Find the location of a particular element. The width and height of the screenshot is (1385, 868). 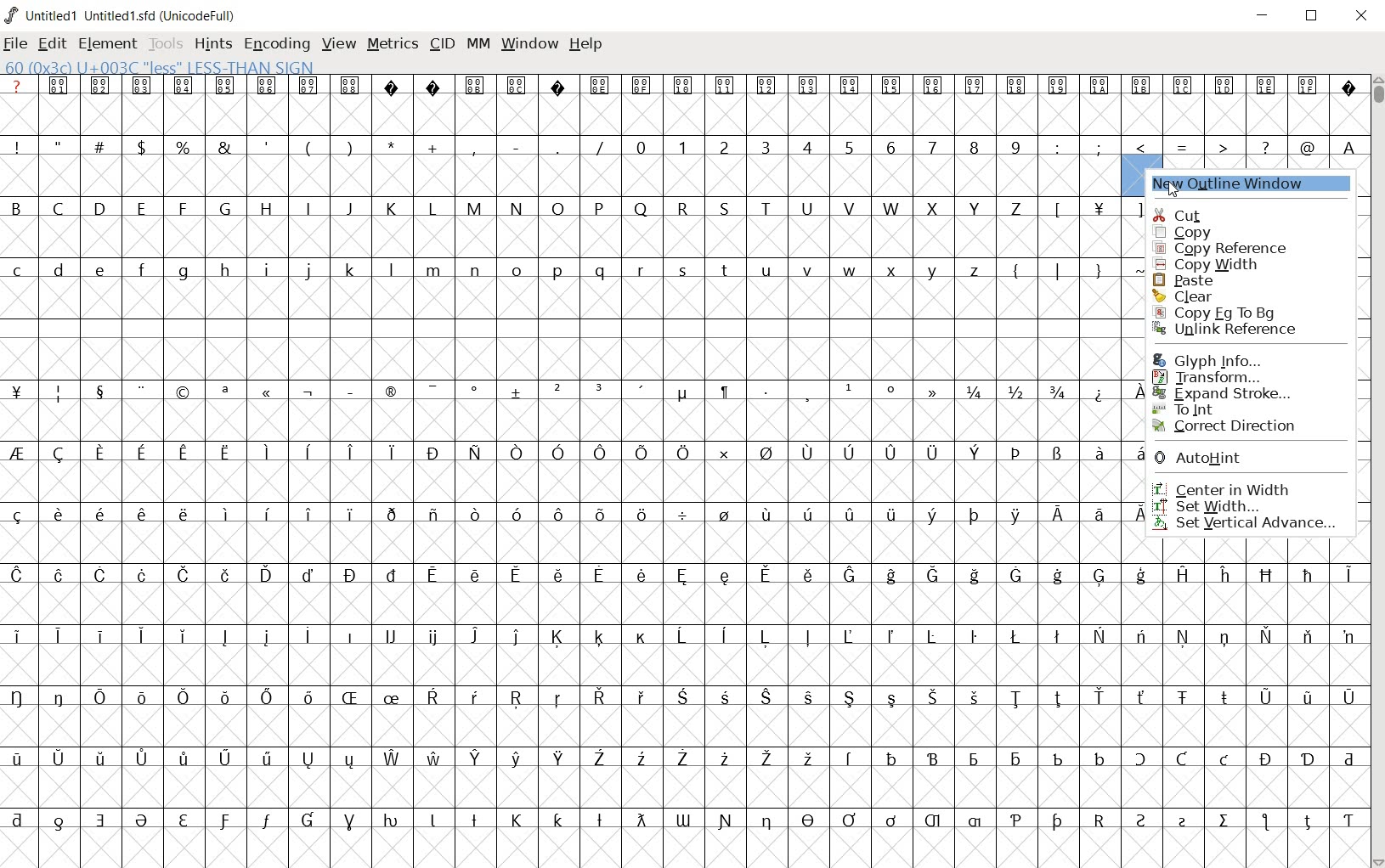

new outline window is located at coordinates (1251, 184).